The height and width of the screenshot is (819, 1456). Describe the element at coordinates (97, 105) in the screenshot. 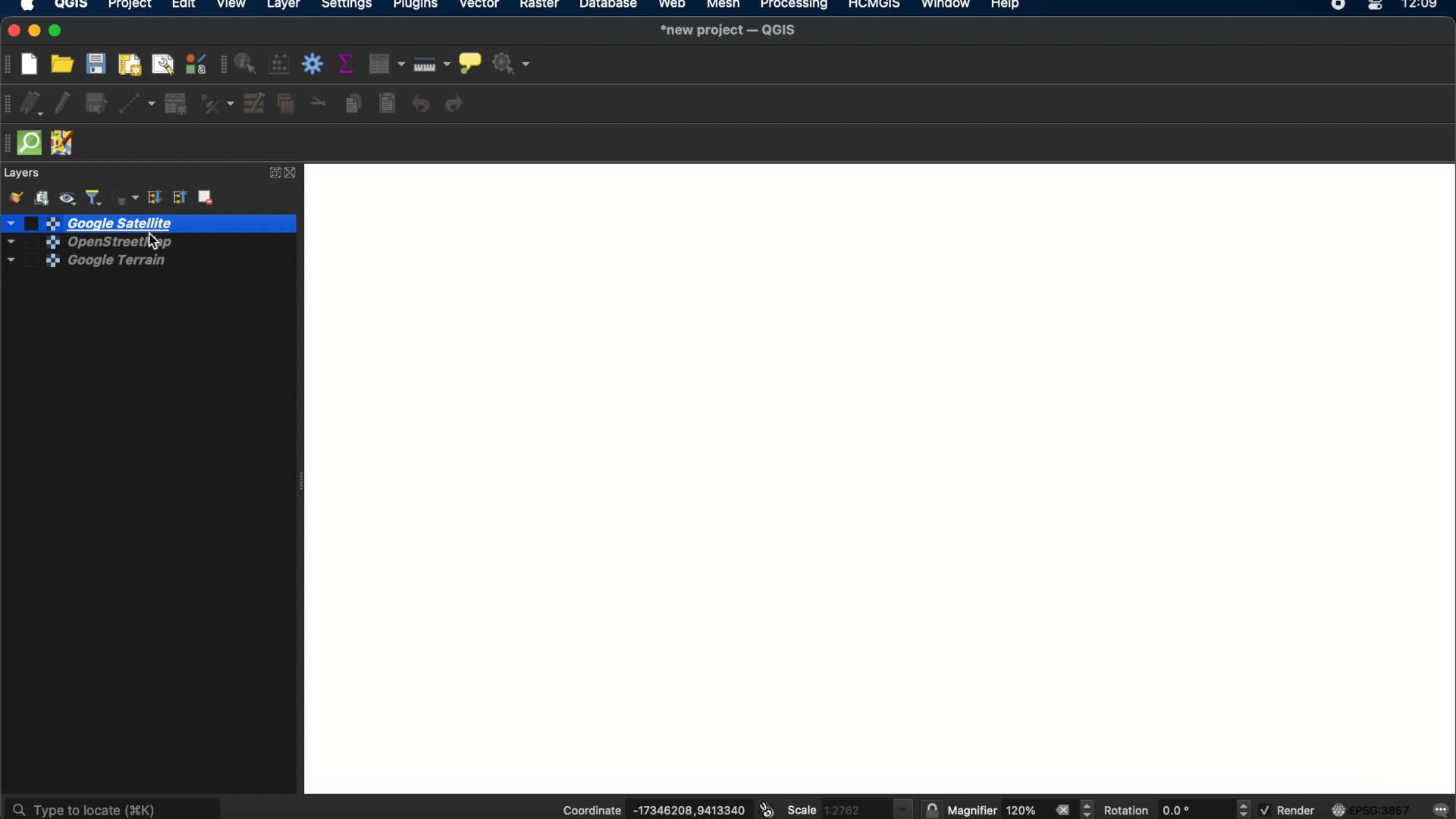

I see `save layer edits` at that location.